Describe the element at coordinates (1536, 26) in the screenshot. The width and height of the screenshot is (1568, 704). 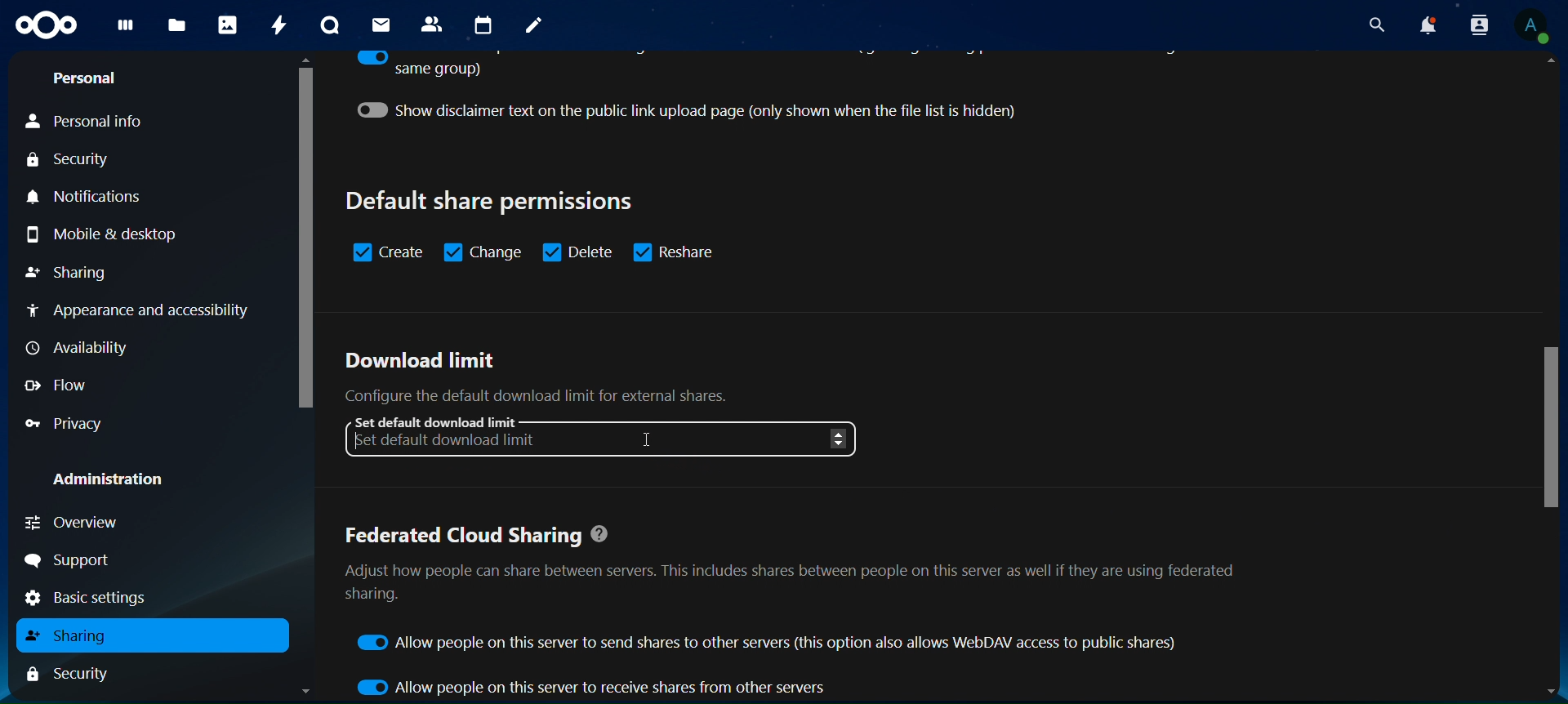
I see `View Profile` at that location.